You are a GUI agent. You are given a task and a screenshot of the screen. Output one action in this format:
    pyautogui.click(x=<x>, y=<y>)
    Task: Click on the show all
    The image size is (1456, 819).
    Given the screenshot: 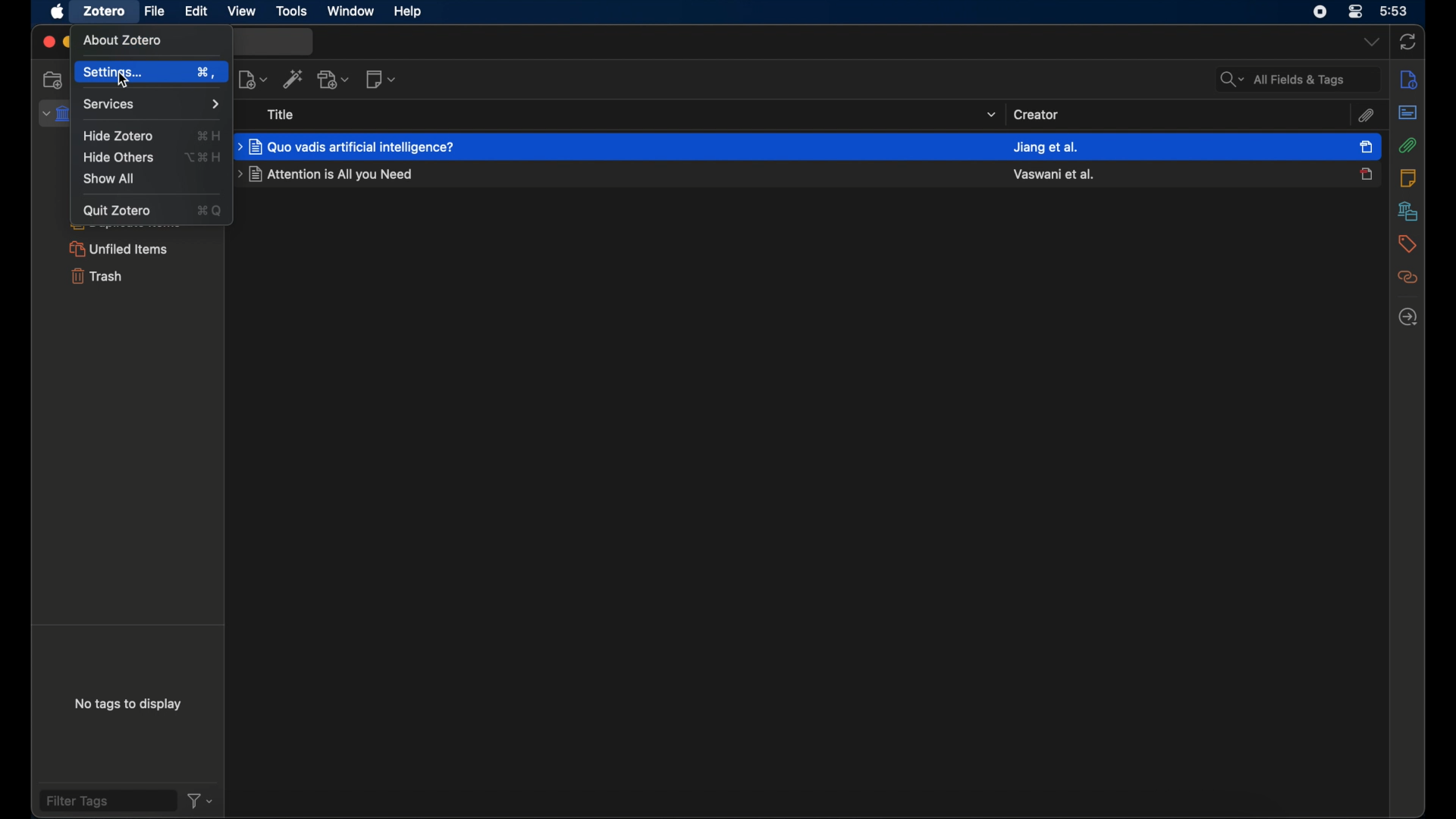 What is the action you would take?
    pyautogui.click(x=109, y=179)
    